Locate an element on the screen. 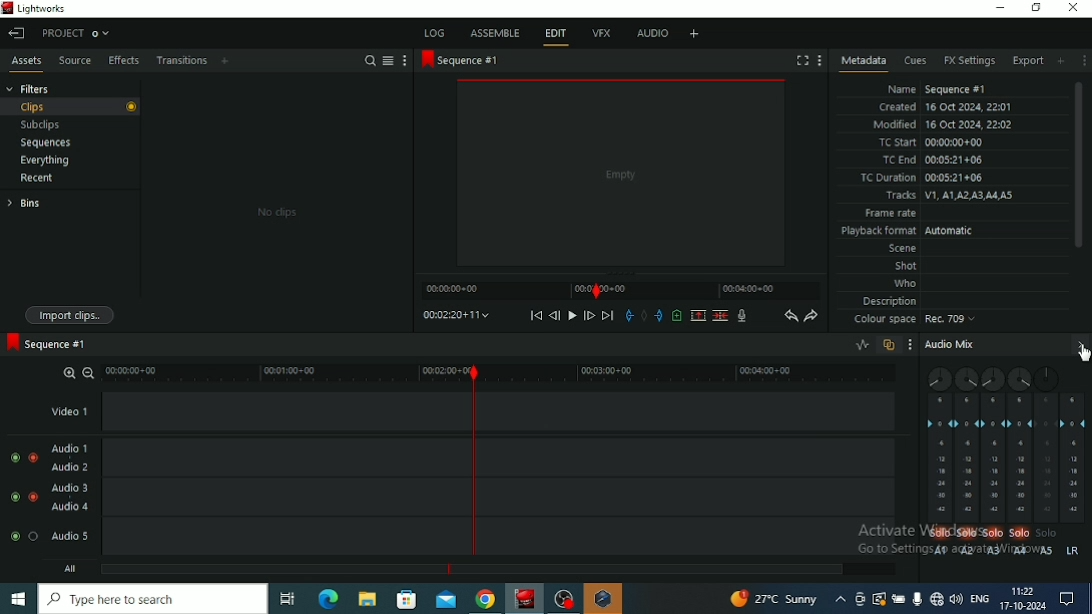 Image resolution: width=1092 pixels, height=614 pixels. Undo is located at coordinates (791, 317).